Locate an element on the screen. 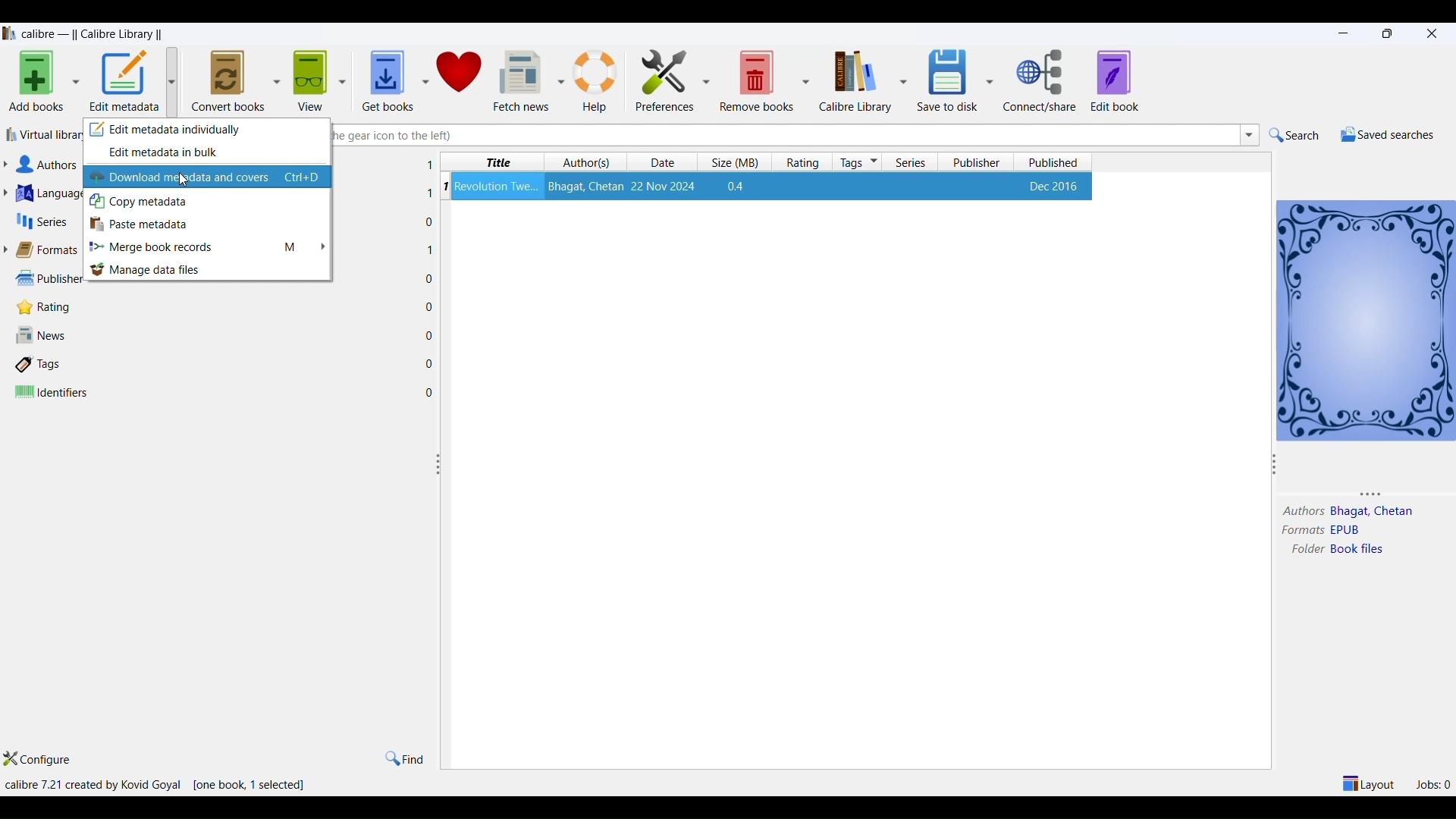  book details is located at coordinates (774, 186).